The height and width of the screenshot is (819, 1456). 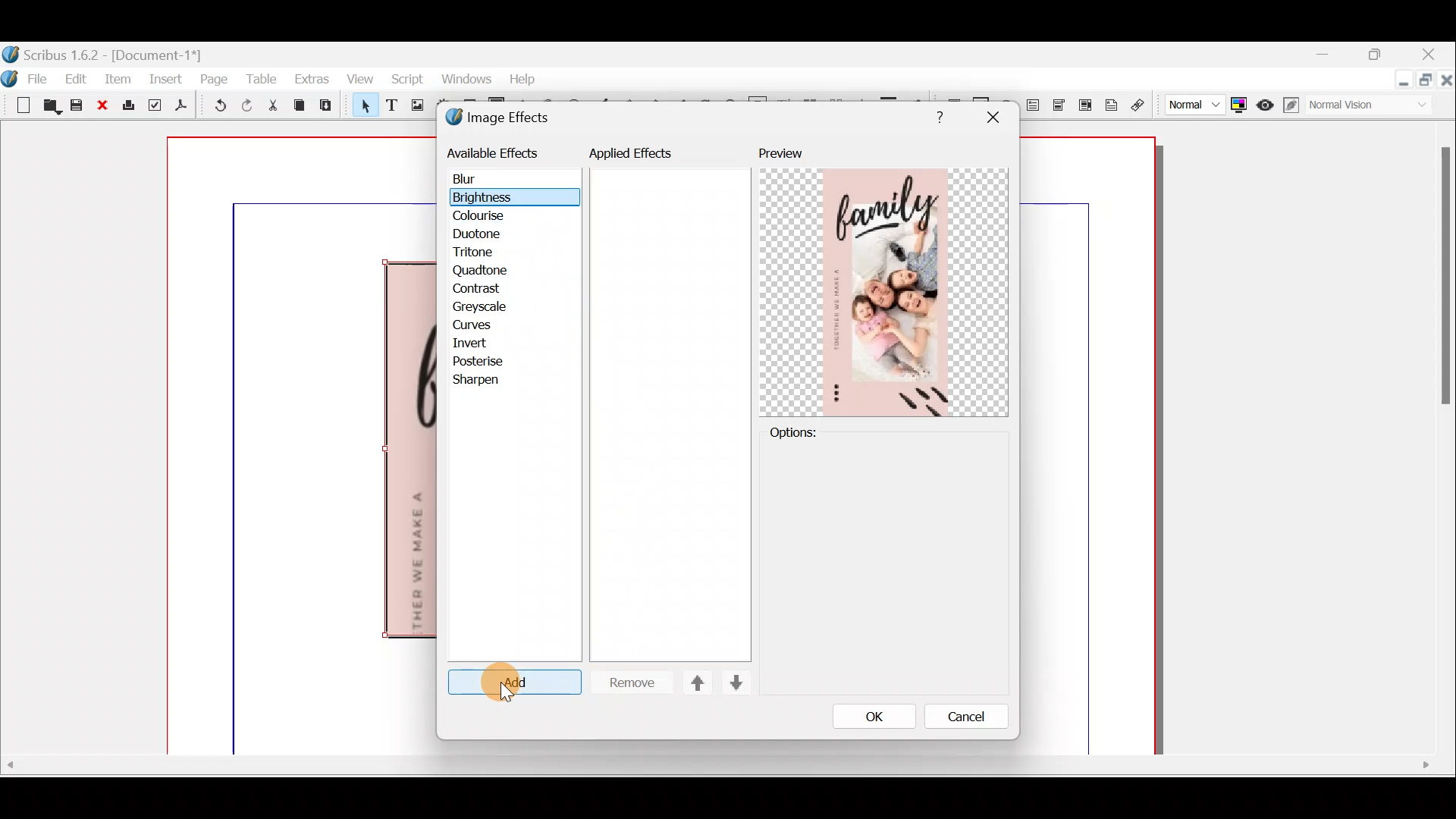 I want to click on Curves, so click(x=483, y=326).